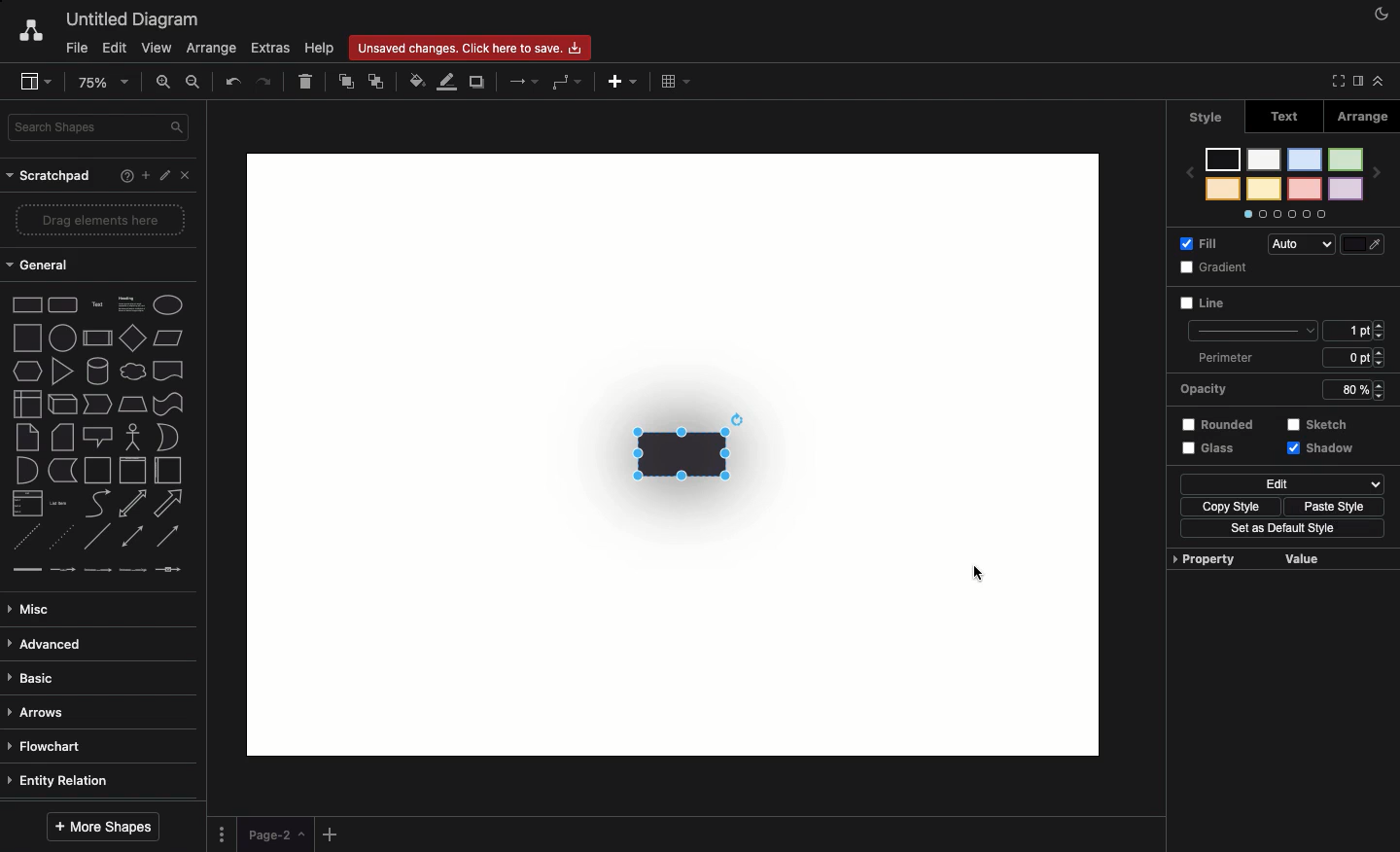 The image size is (1400, 852). Describe the element at coordinates (1302, 243) in the screenshot. I see `Auto` at that location.